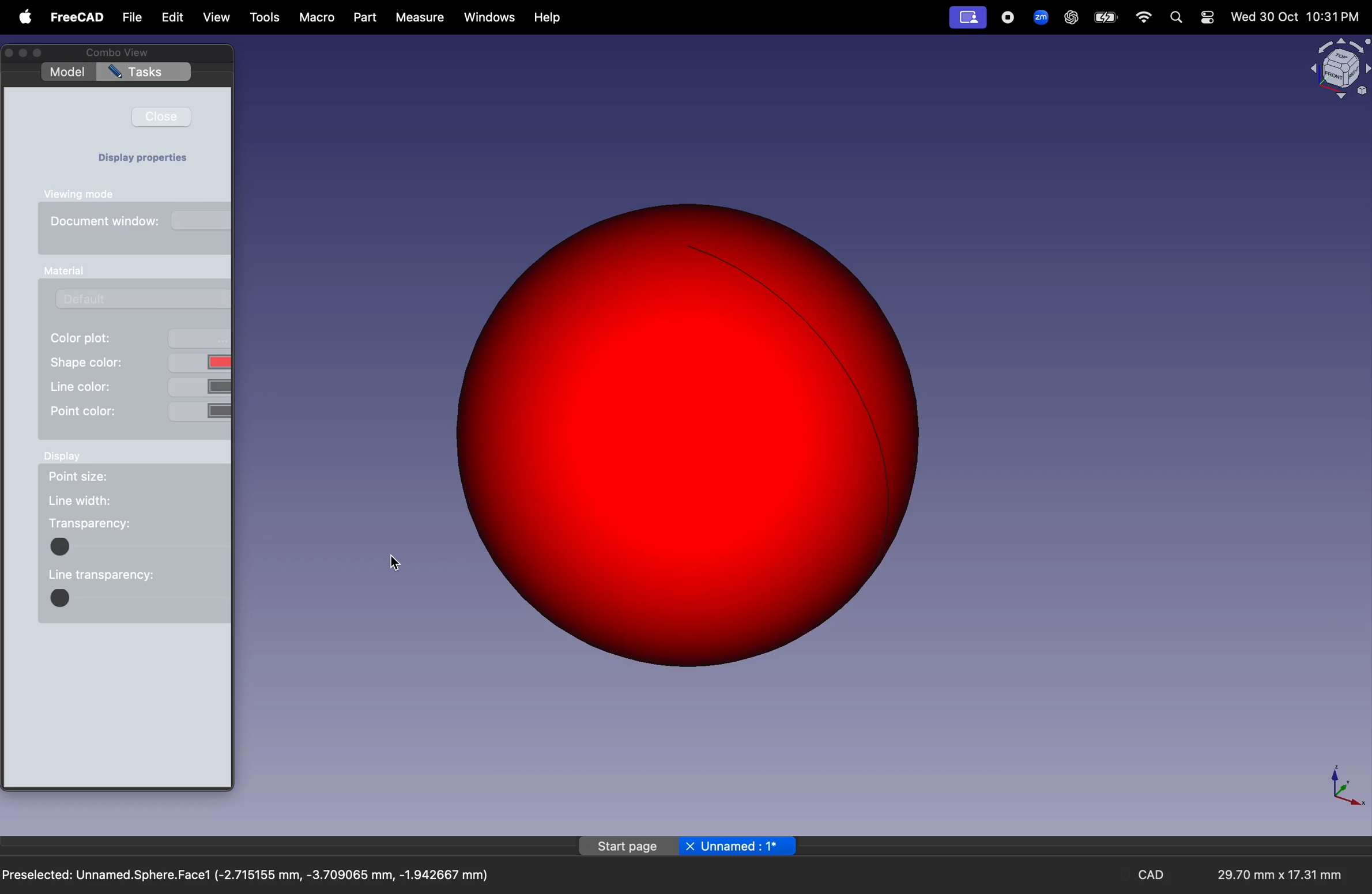 The height and width of the screenshot is (894, 1372). What do you see at coordinates (217, 19) in the screenshot?
I see `view` at bounding box center [217, 19].